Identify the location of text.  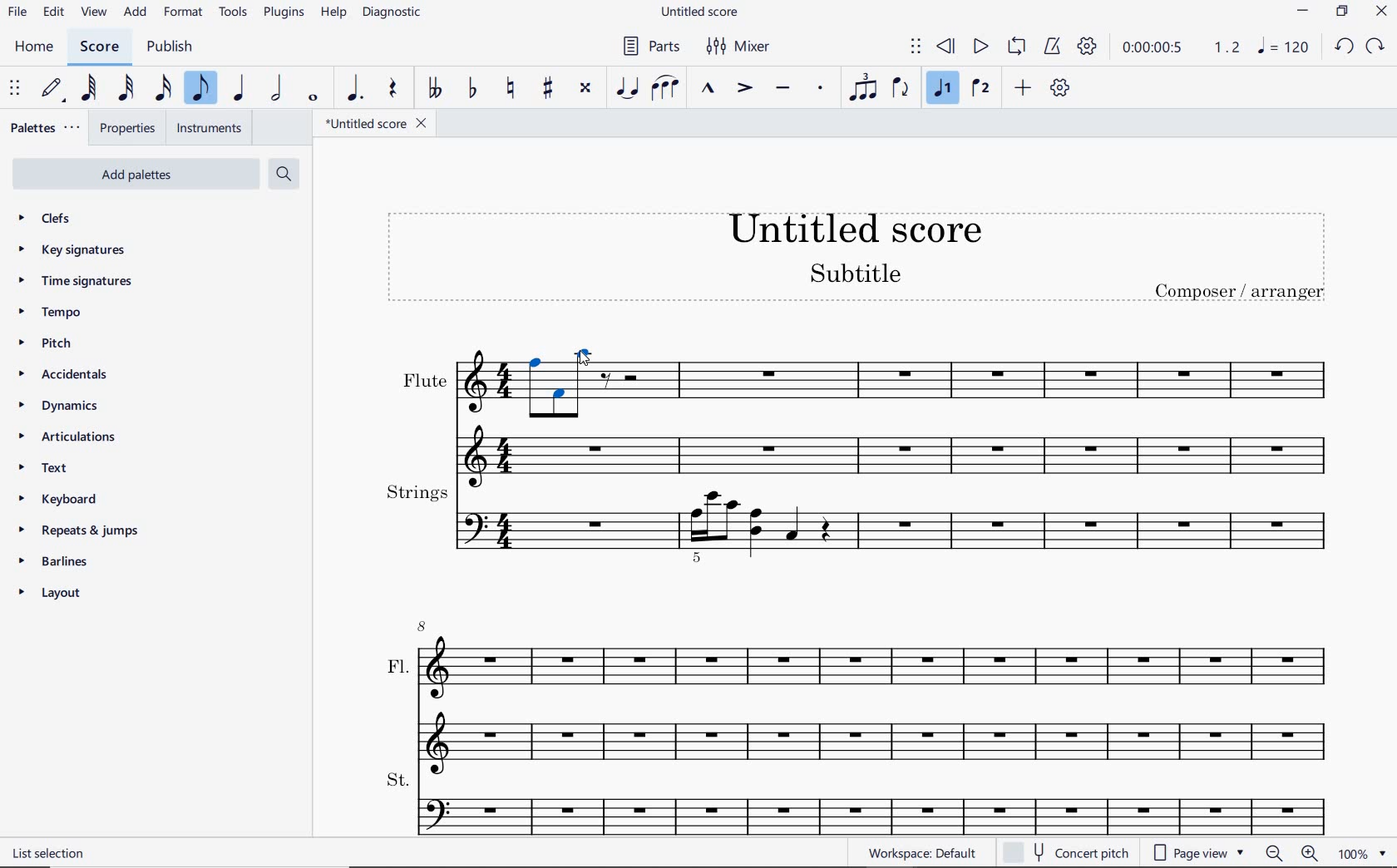
(52, 470).